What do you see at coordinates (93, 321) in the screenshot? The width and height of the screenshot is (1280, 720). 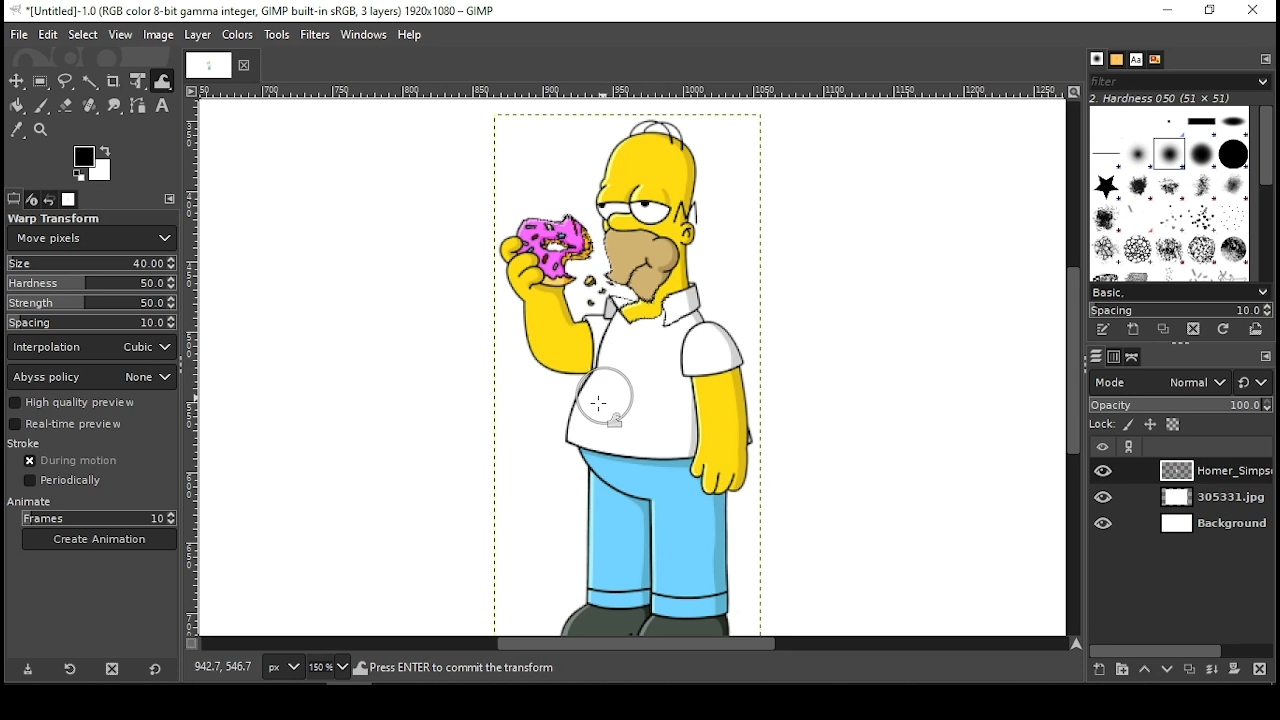 I see `spacing` at bounding box center [93, 321].